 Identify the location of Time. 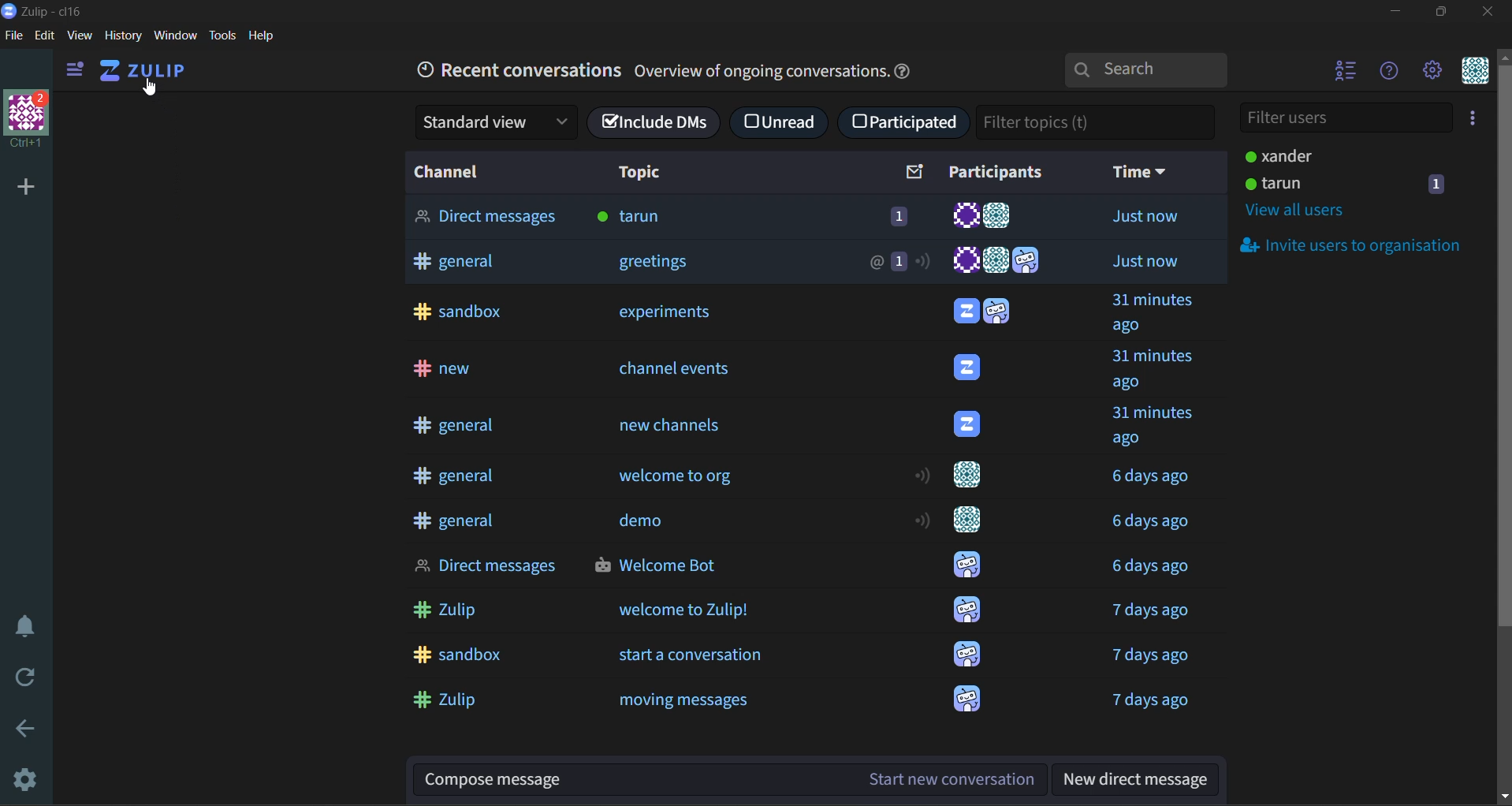
(1156, 308).